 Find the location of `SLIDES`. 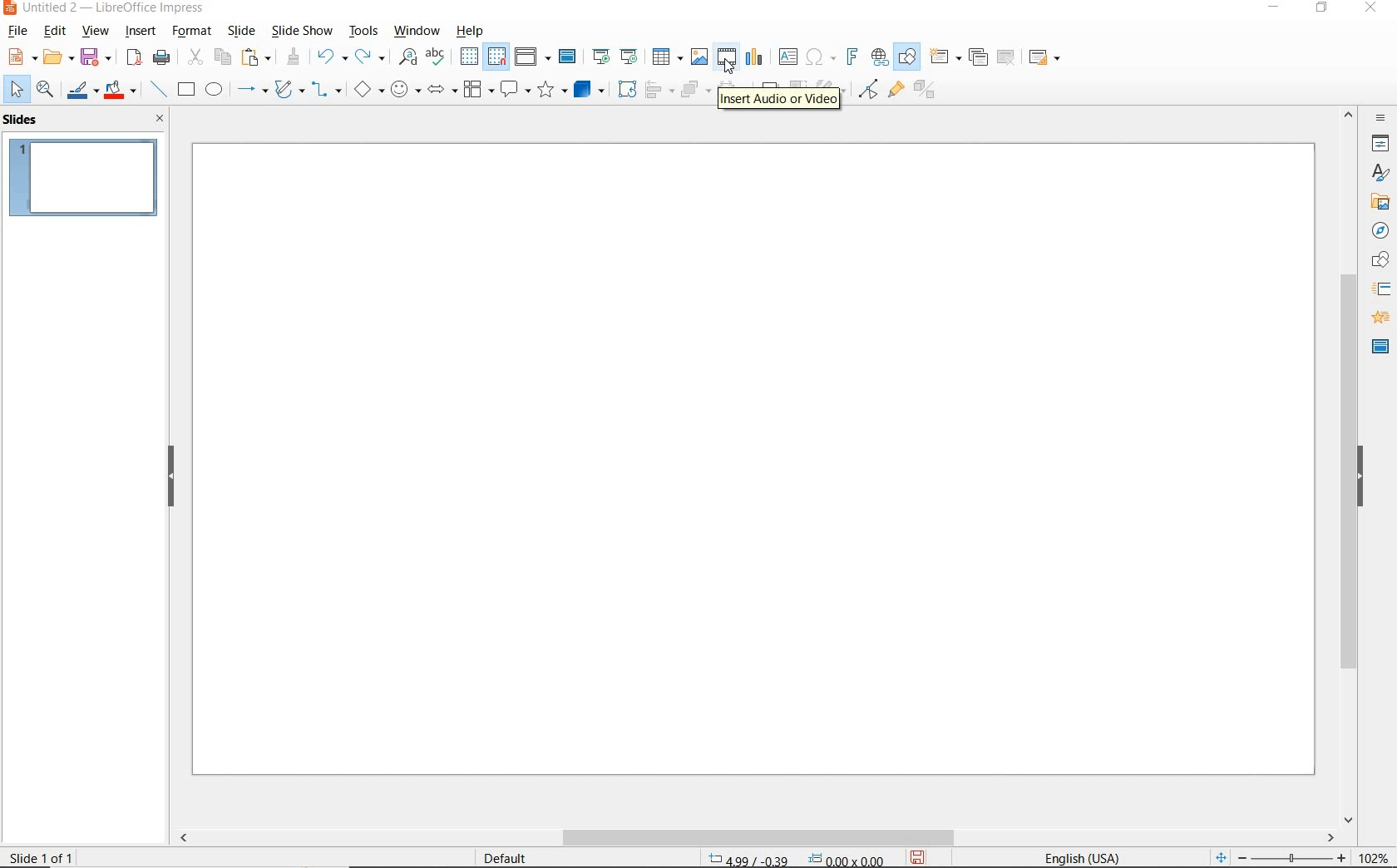

SLIDES is located at coordinates (22, 121).